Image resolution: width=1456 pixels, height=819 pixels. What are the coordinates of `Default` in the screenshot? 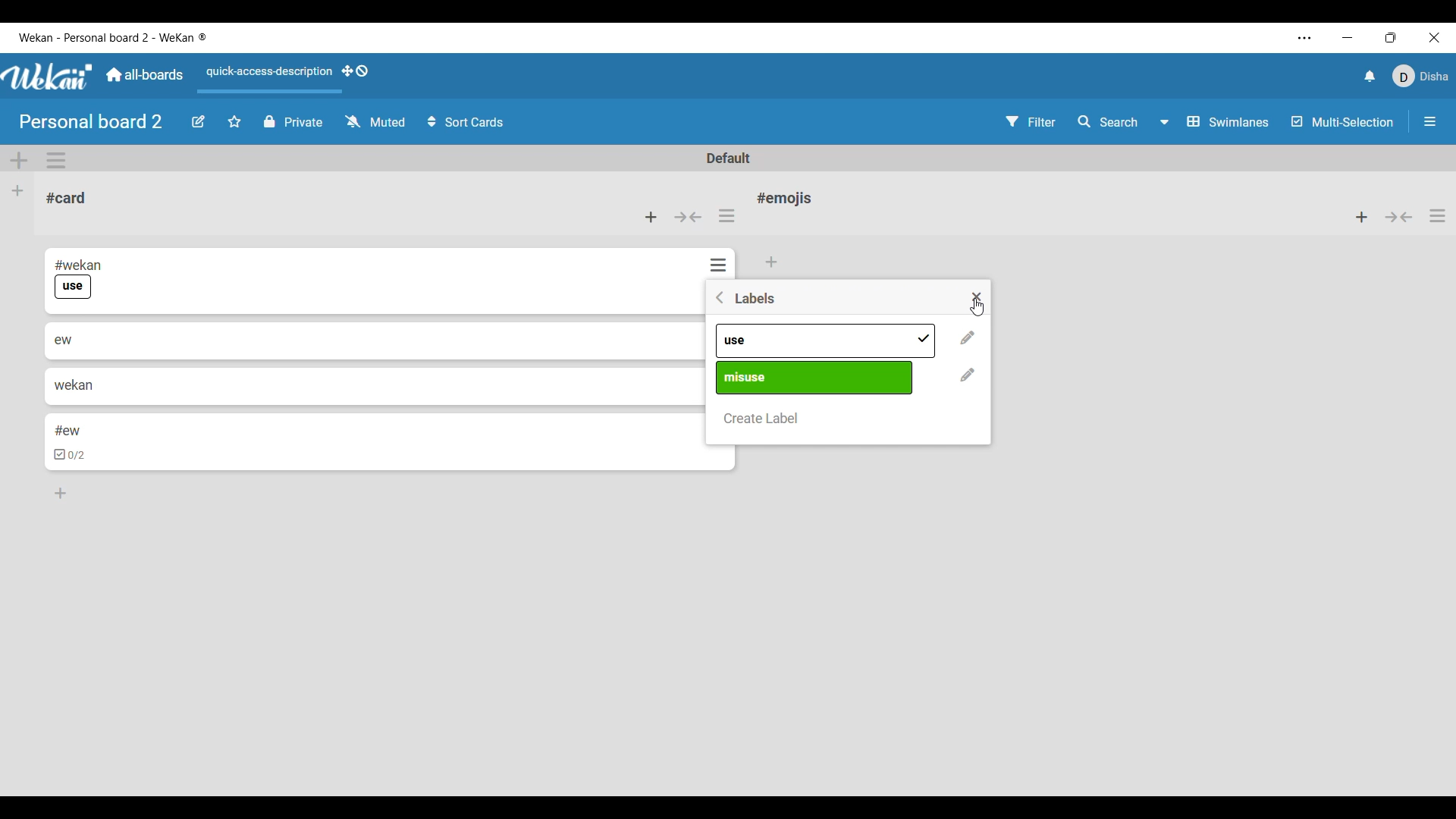 It's located at (727, 158).